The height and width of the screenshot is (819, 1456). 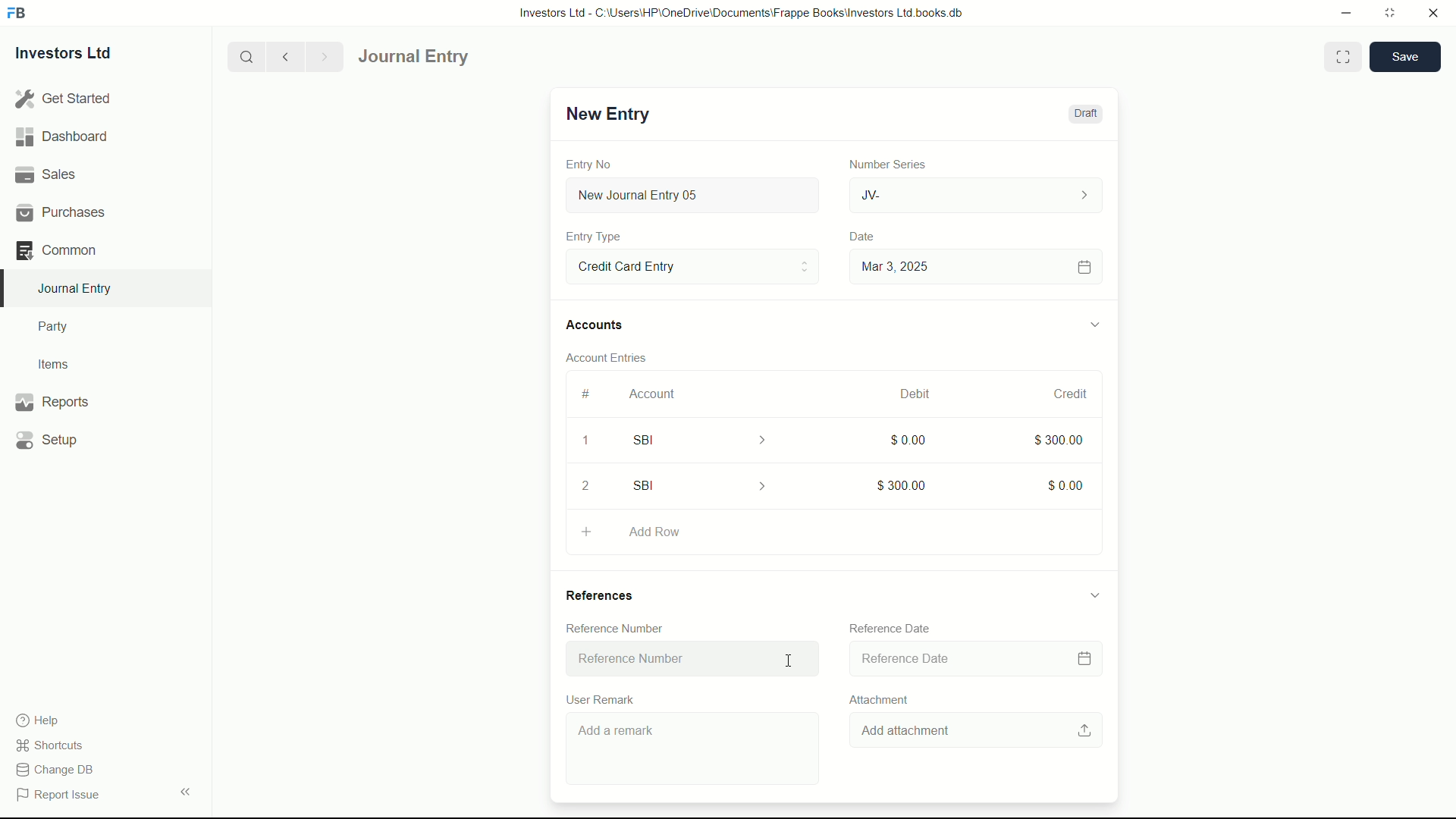 I want to click on Entry Type, so click(x=594, y=237).